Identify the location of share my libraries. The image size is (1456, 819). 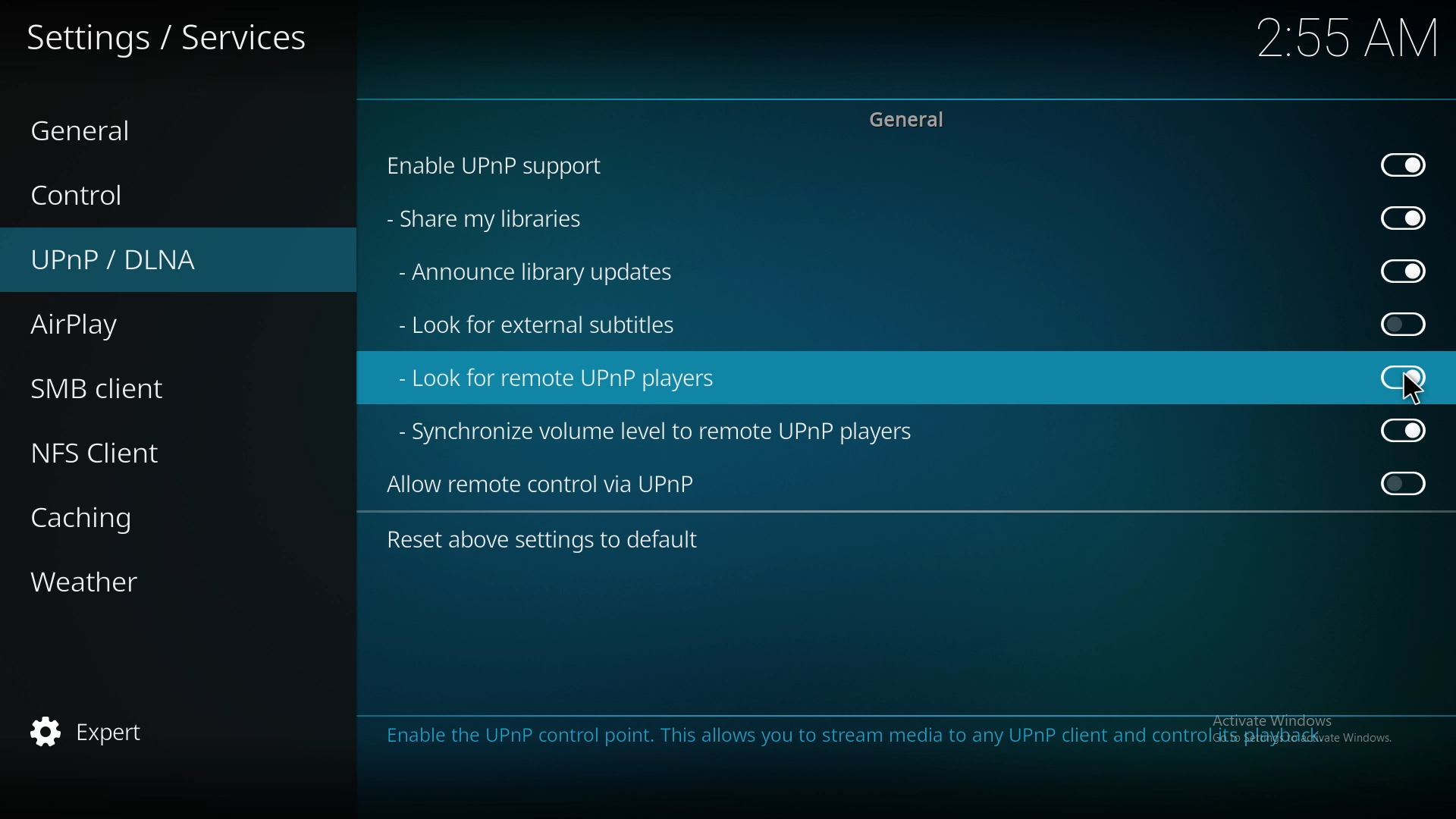
(497, 218).